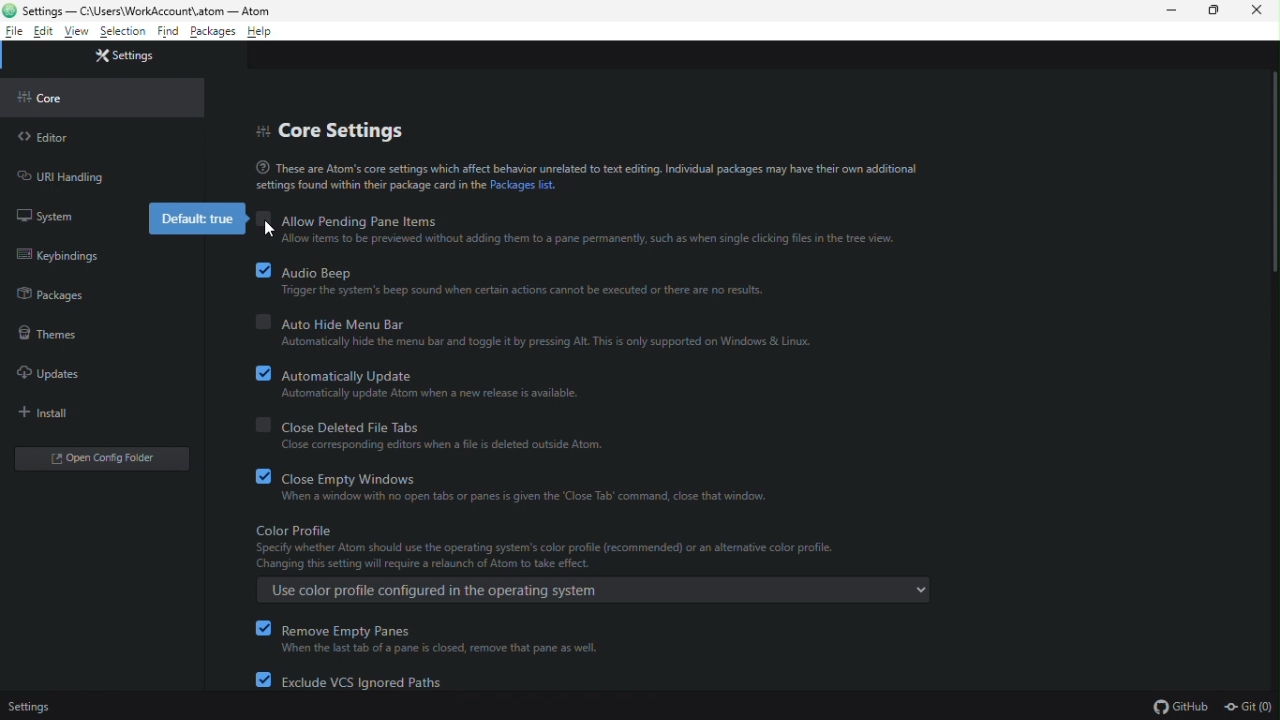 This screenshot has height=720, width=1280. What do you see at coordinates (49, 332) in the screenshot?
I see `themes` at bounding box center [49, 332].